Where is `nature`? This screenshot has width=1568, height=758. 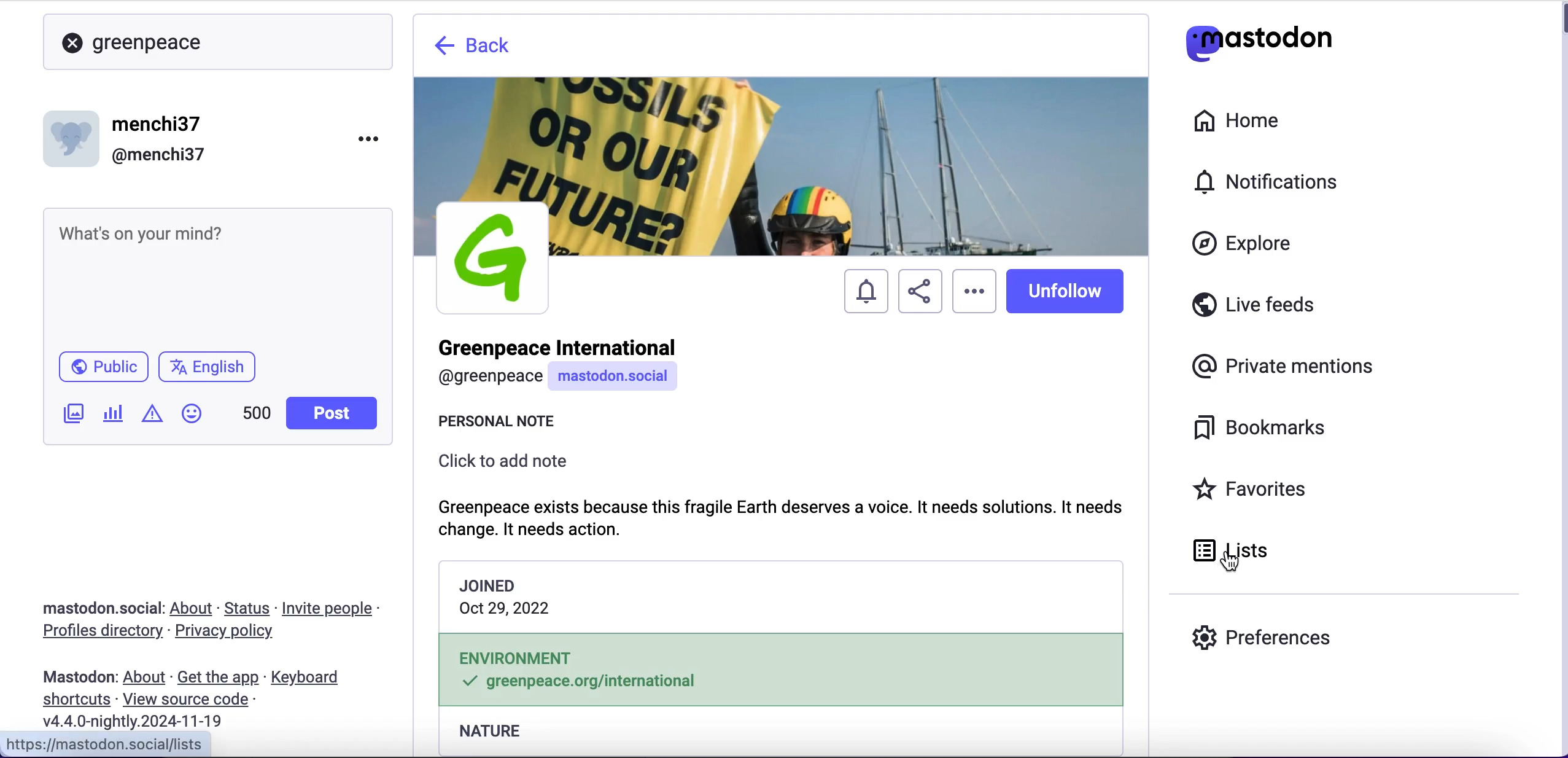
nature is located at coordinates (496, 733).